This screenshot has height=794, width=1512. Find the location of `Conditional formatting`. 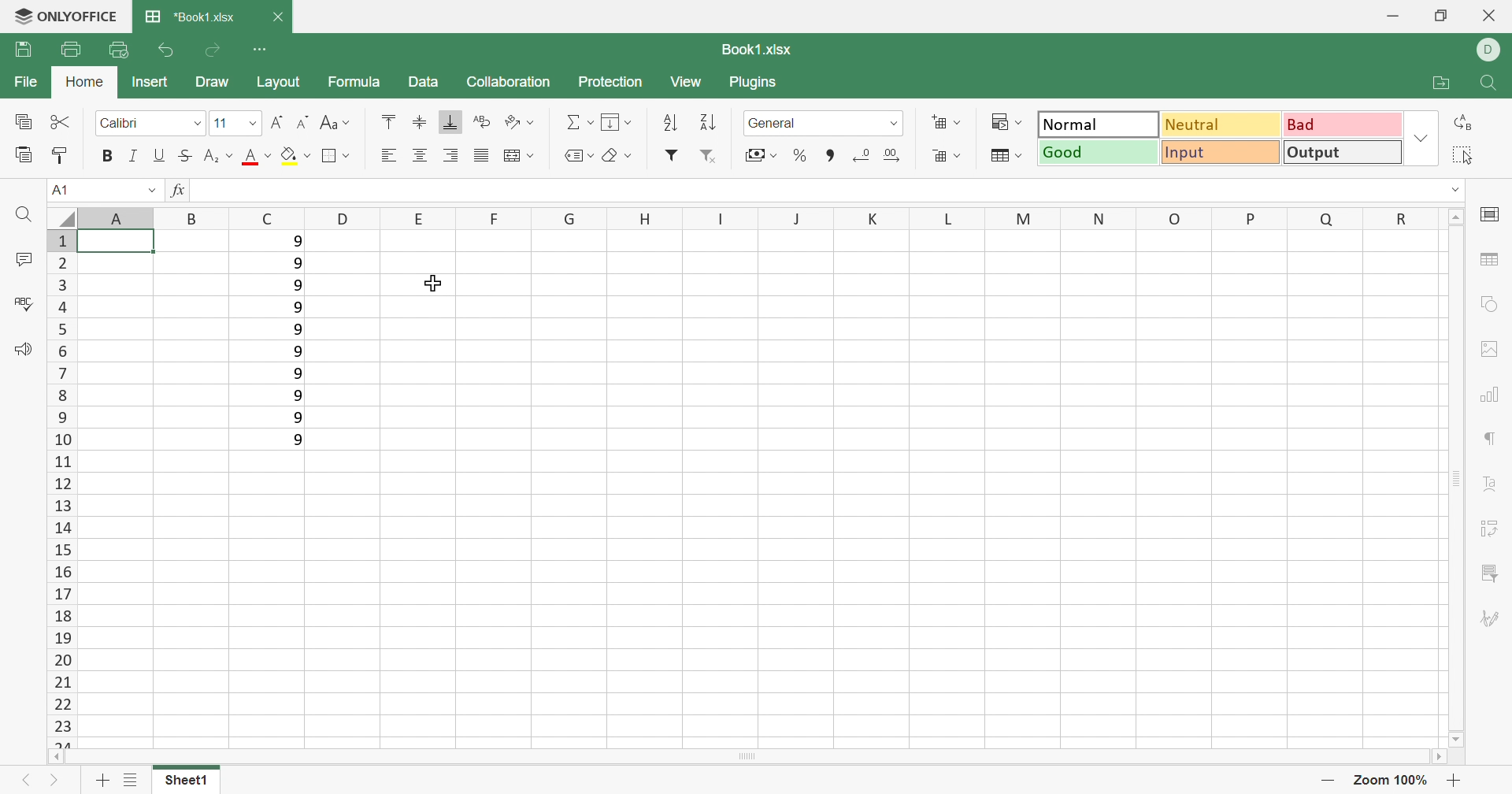

Conditional formatting is located at coordinates (1006, 121).